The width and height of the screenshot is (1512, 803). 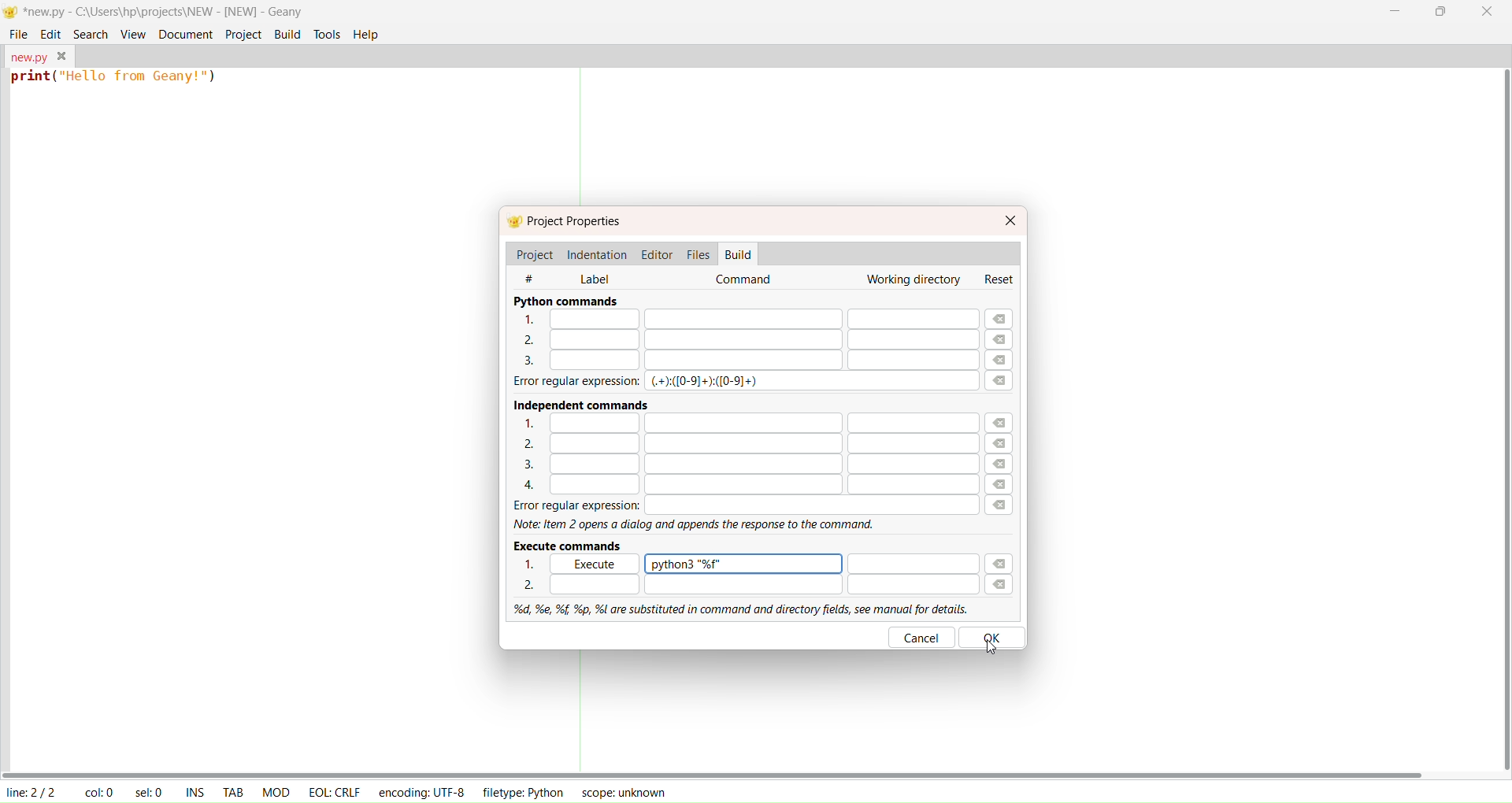 I want to click on TAB, so click(x=233, y=790).